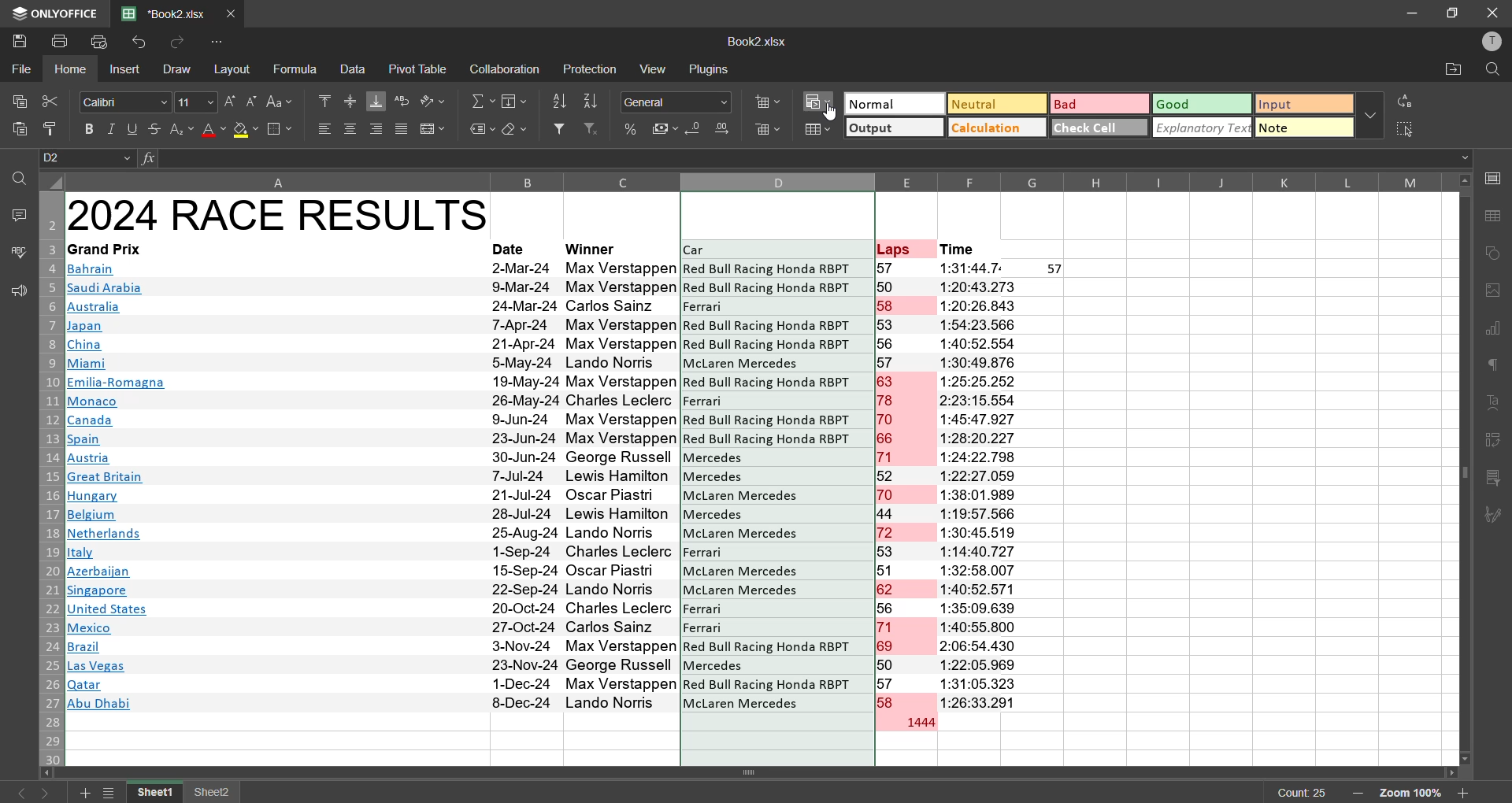  What do you see at coordinates (1488, 41) in the screenshot?
I see `profile` at bounding box center [1488, 41].